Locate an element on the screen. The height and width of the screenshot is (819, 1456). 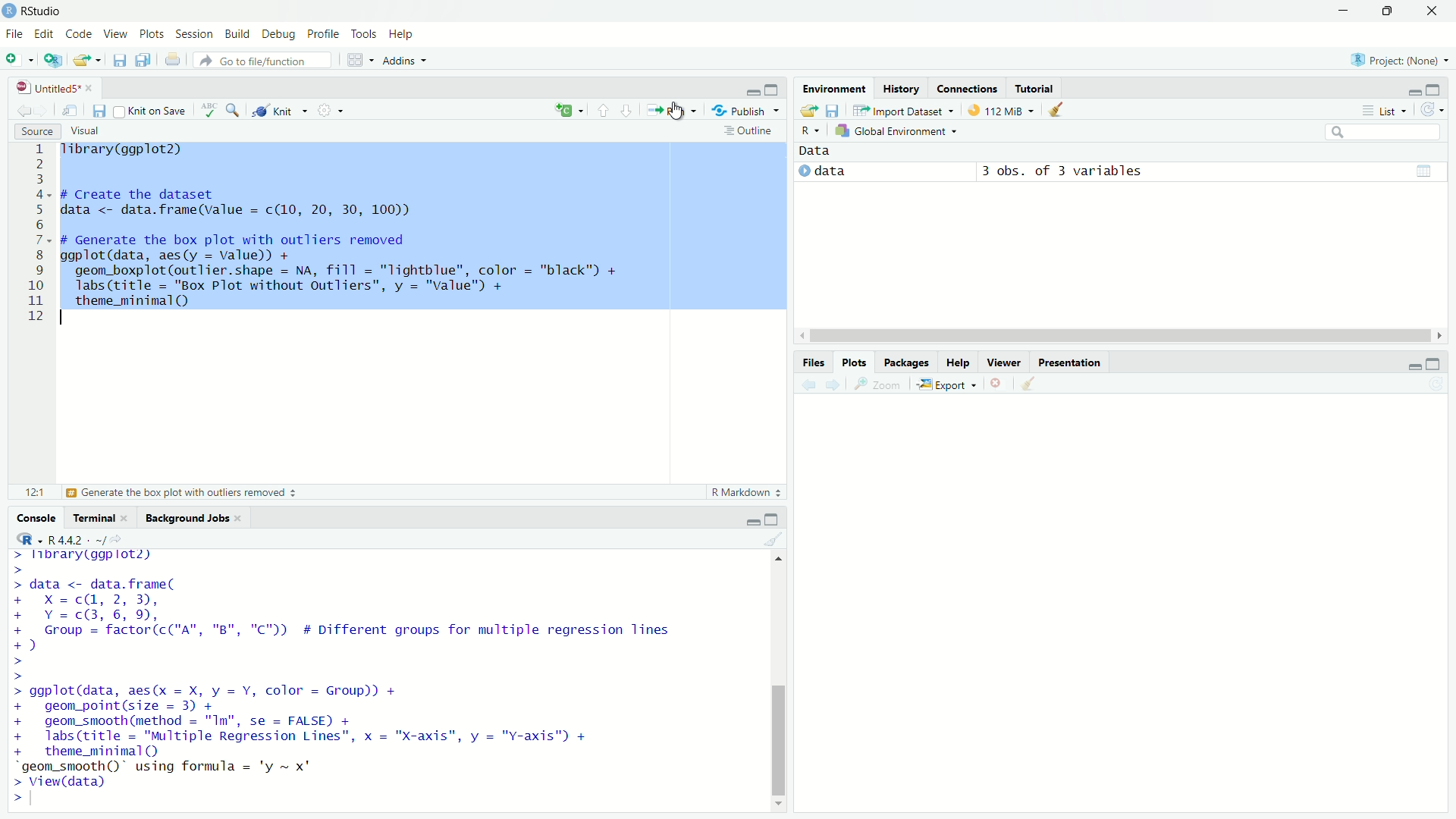
add is located at coordinates (53, 63).